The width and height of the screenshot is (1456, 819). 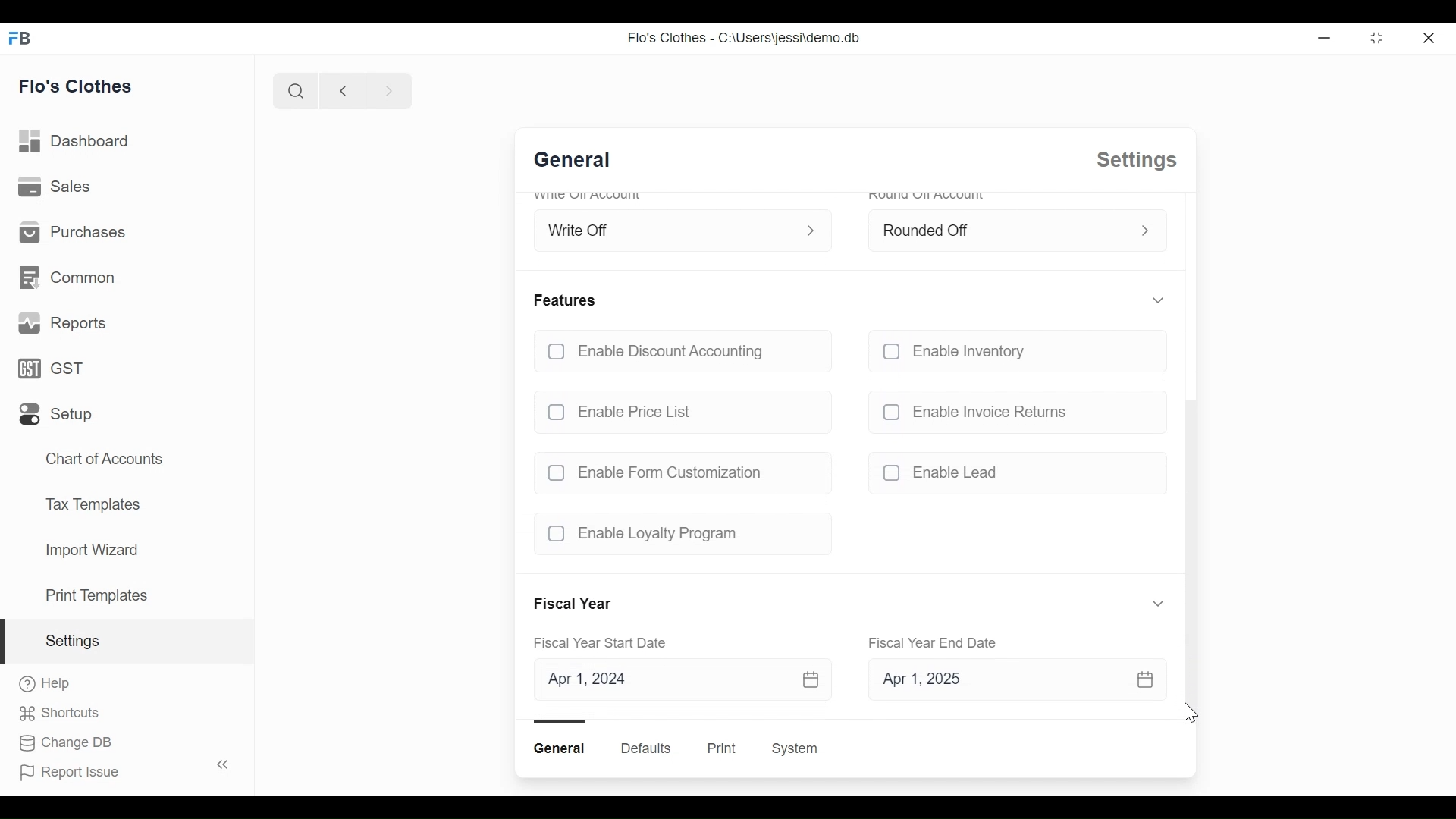 I want to click on Help, so click(x=45, y=685).